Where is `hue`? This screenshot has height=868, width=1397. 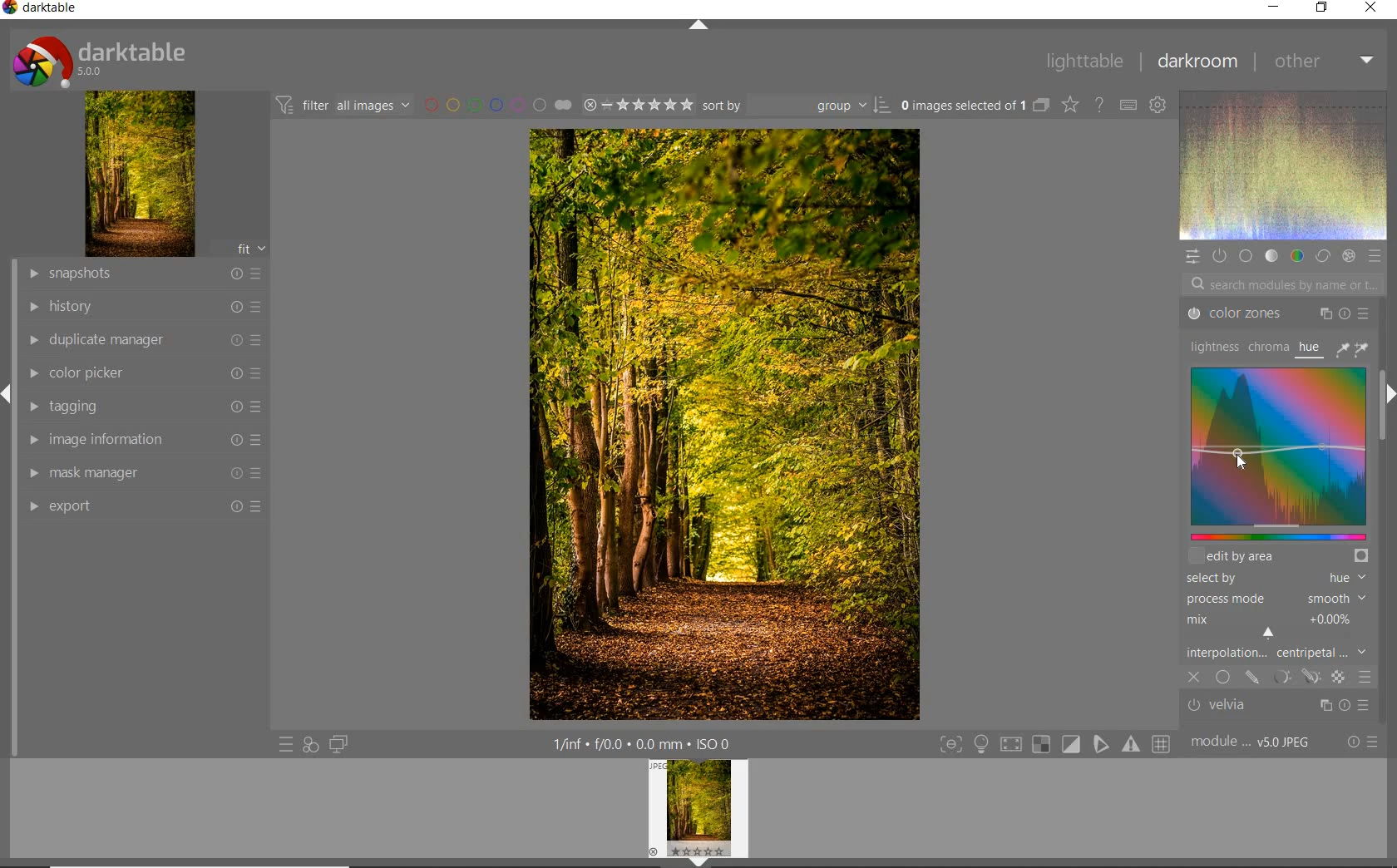
hue is located at coordinates (1311, 347).